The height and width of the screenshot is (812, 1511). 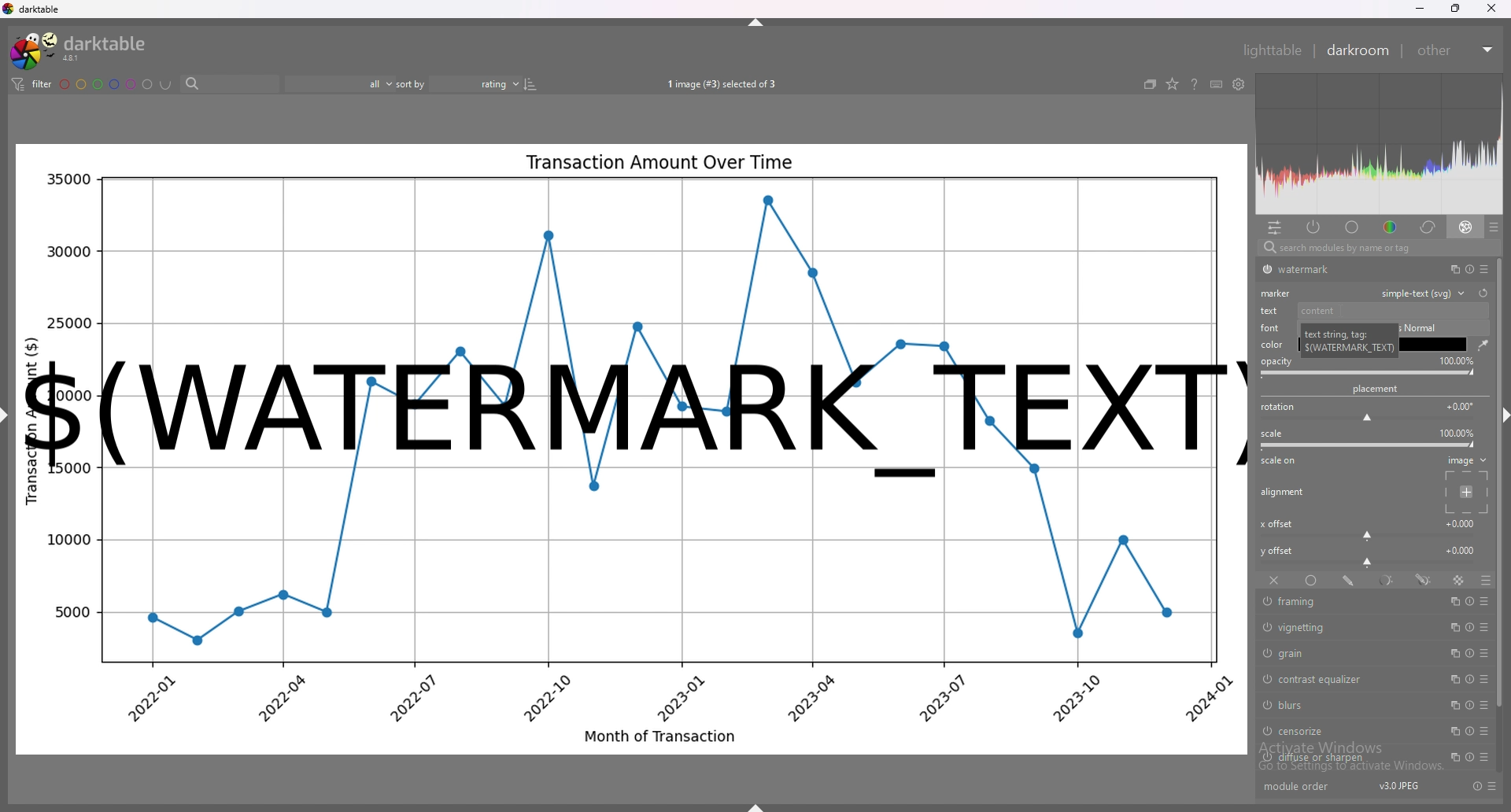 What do you see at coordinates (1461, 405) in the screenshot?
I see `rotation degrees` at bounding box center [1461, 405].